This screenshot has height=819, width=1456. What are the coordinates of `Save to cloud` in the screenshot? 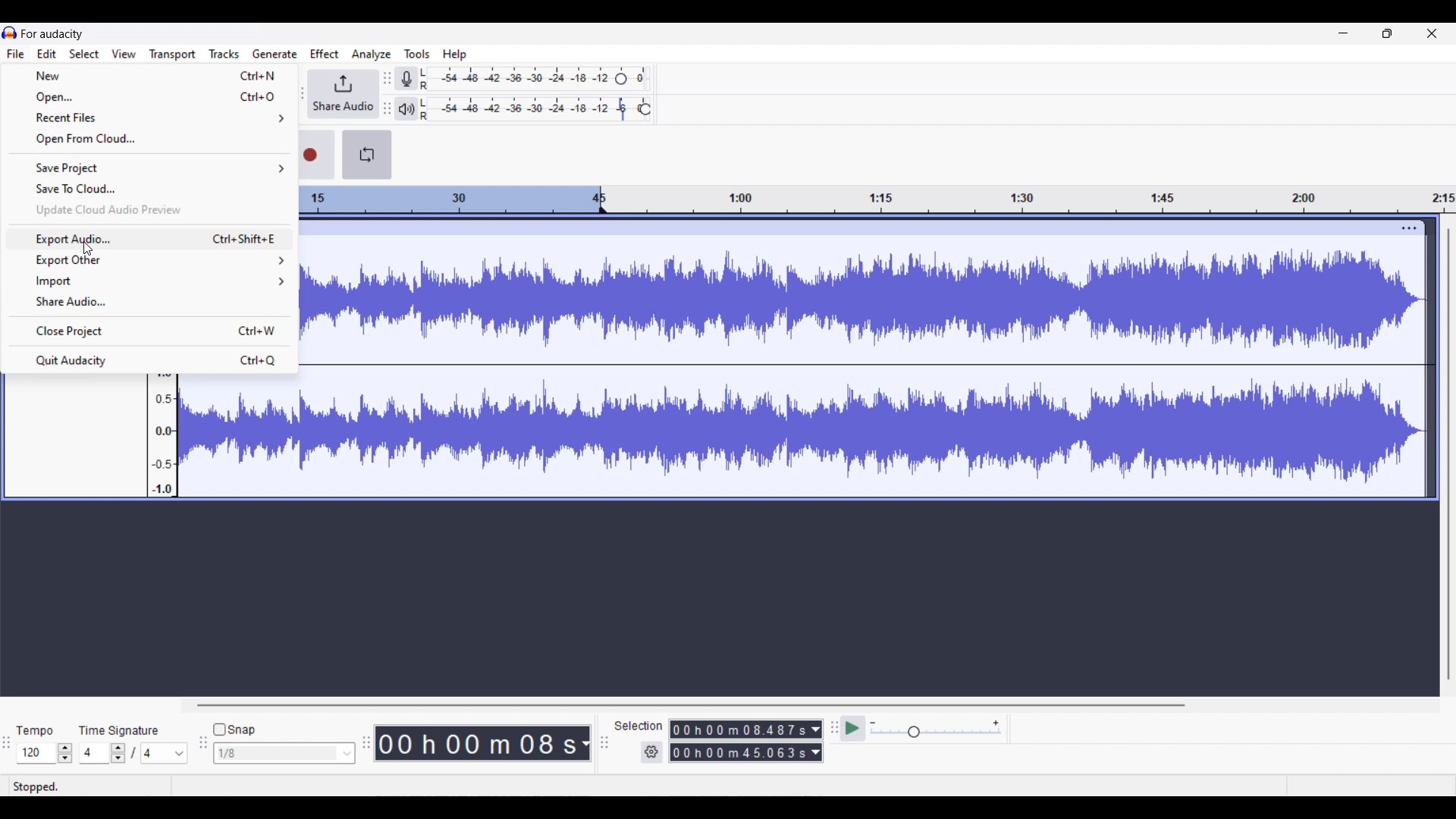 It's located at (151, 189).